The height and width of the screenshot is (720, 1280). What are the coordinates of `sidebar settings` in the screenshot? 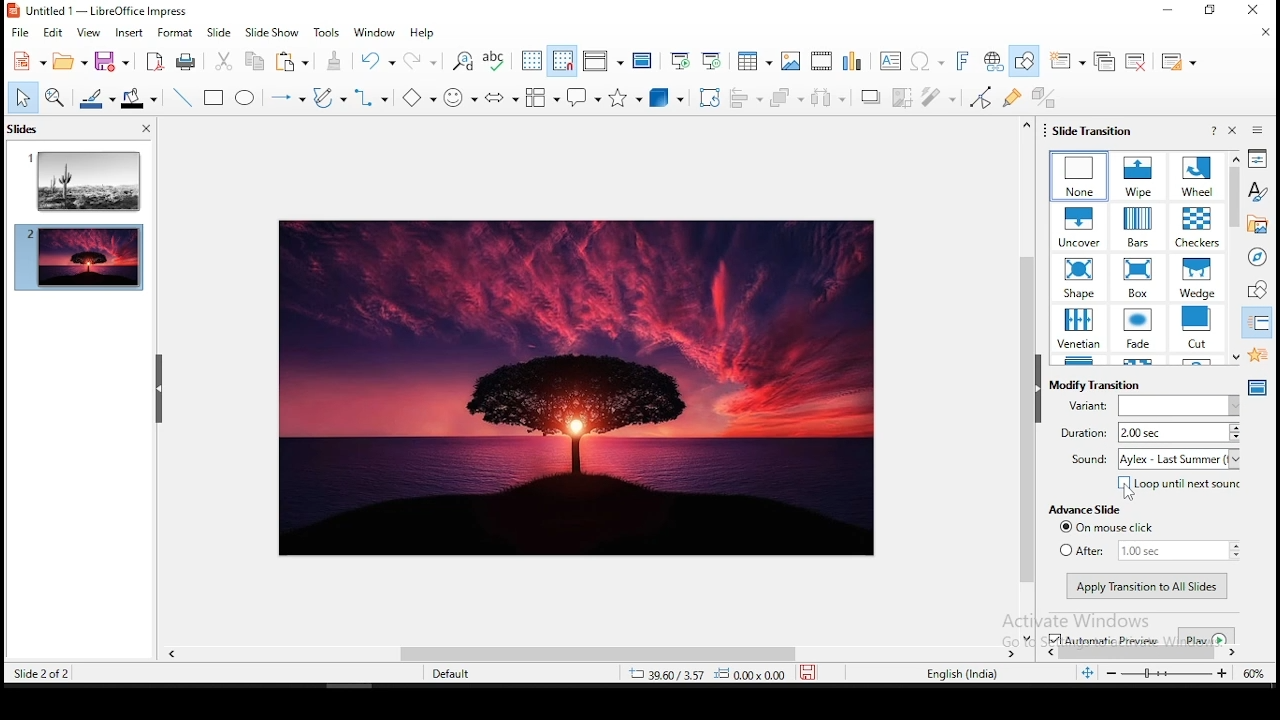 It's located at (1259, 130).